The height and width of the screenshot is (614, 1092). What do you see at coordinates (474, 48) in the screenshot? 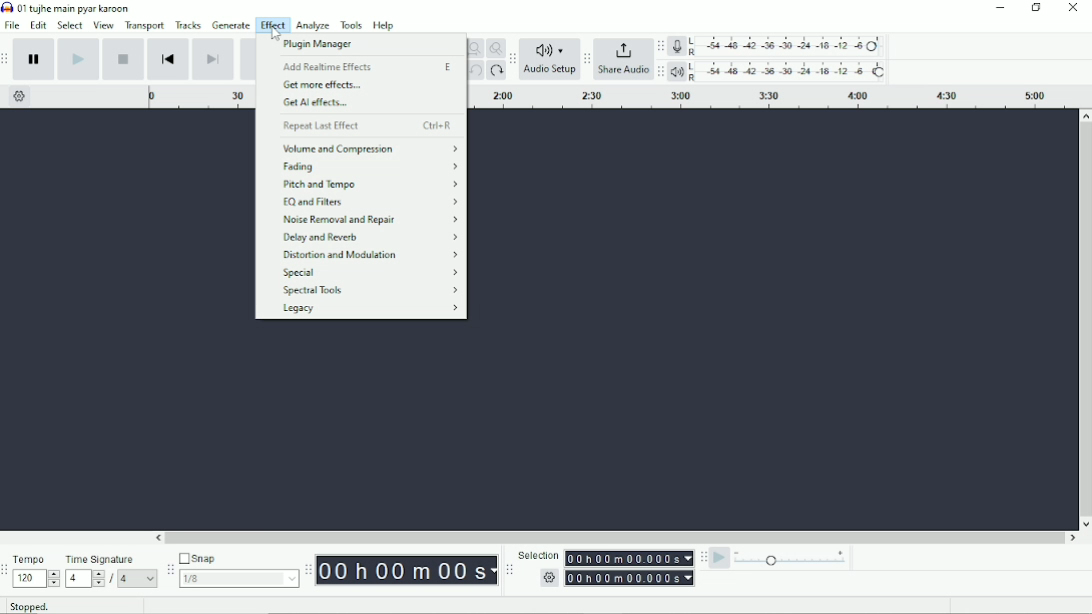
I see `Fit project to width` at bounding box center [474, 48].